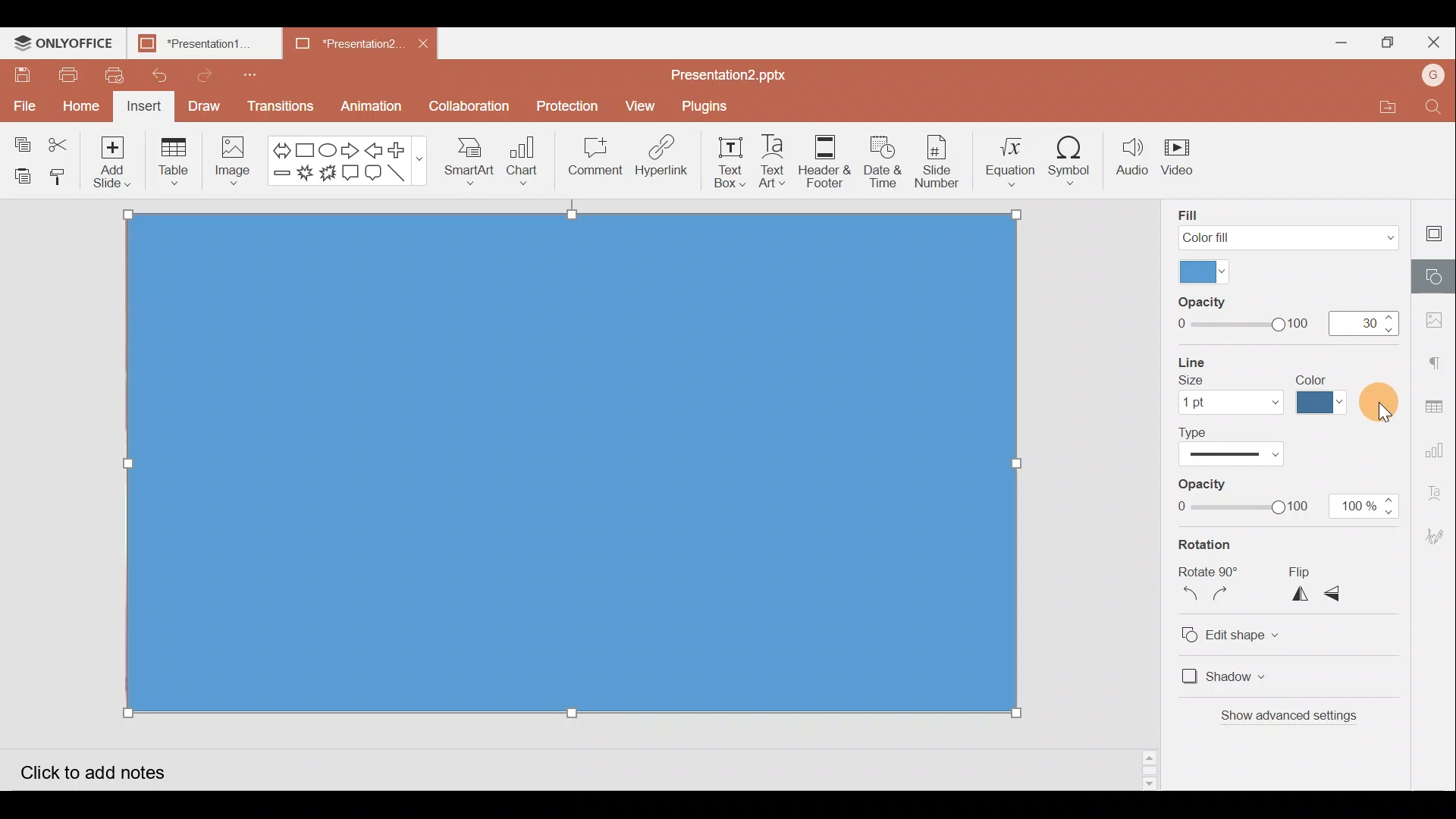  What do you see at coordinates (199, 44) in the screenshot?
I see `Presentation1.` at bounding box center [199, 44].